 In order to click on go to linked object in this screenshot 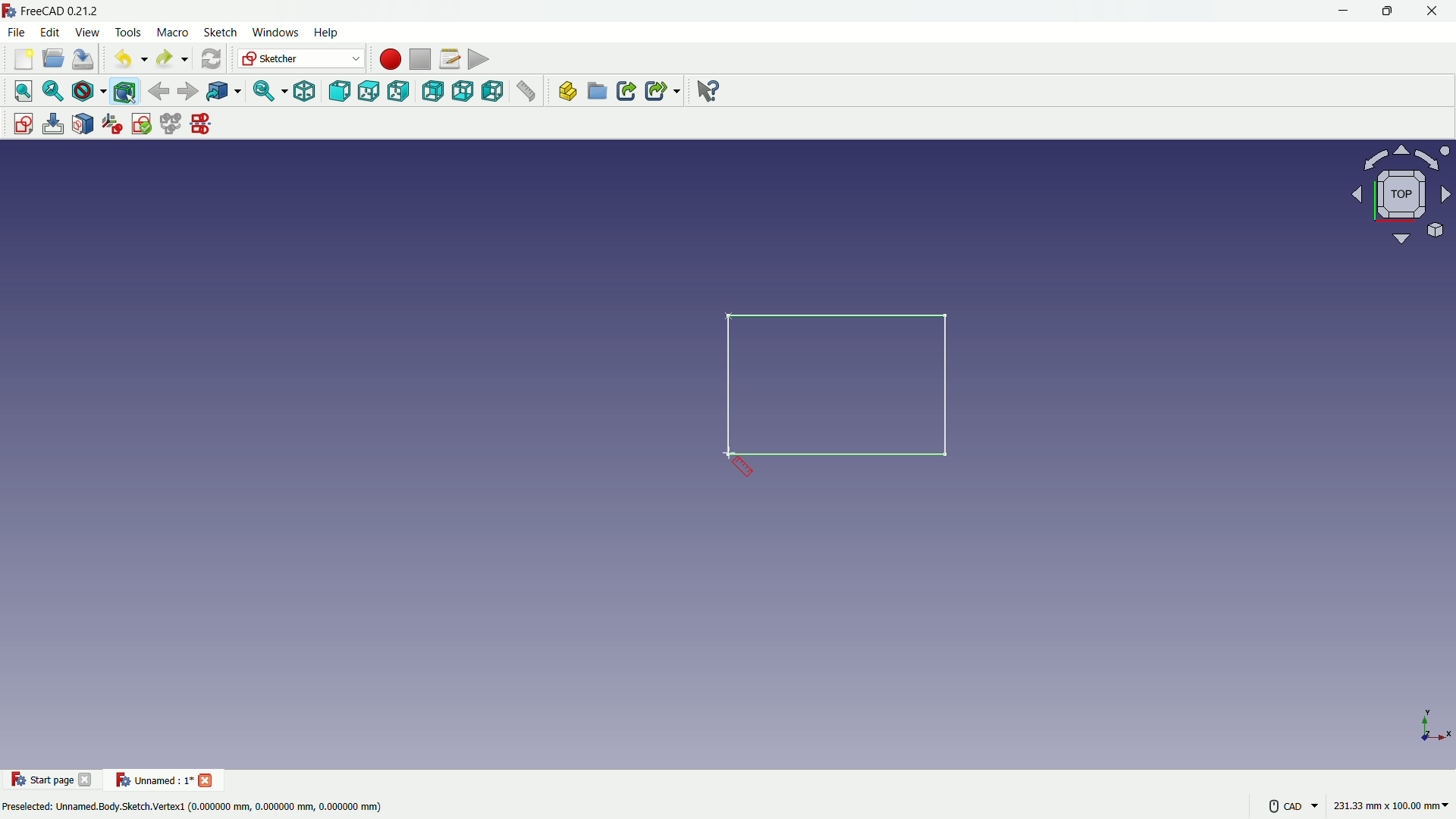, I will do `click(223, 93)`.